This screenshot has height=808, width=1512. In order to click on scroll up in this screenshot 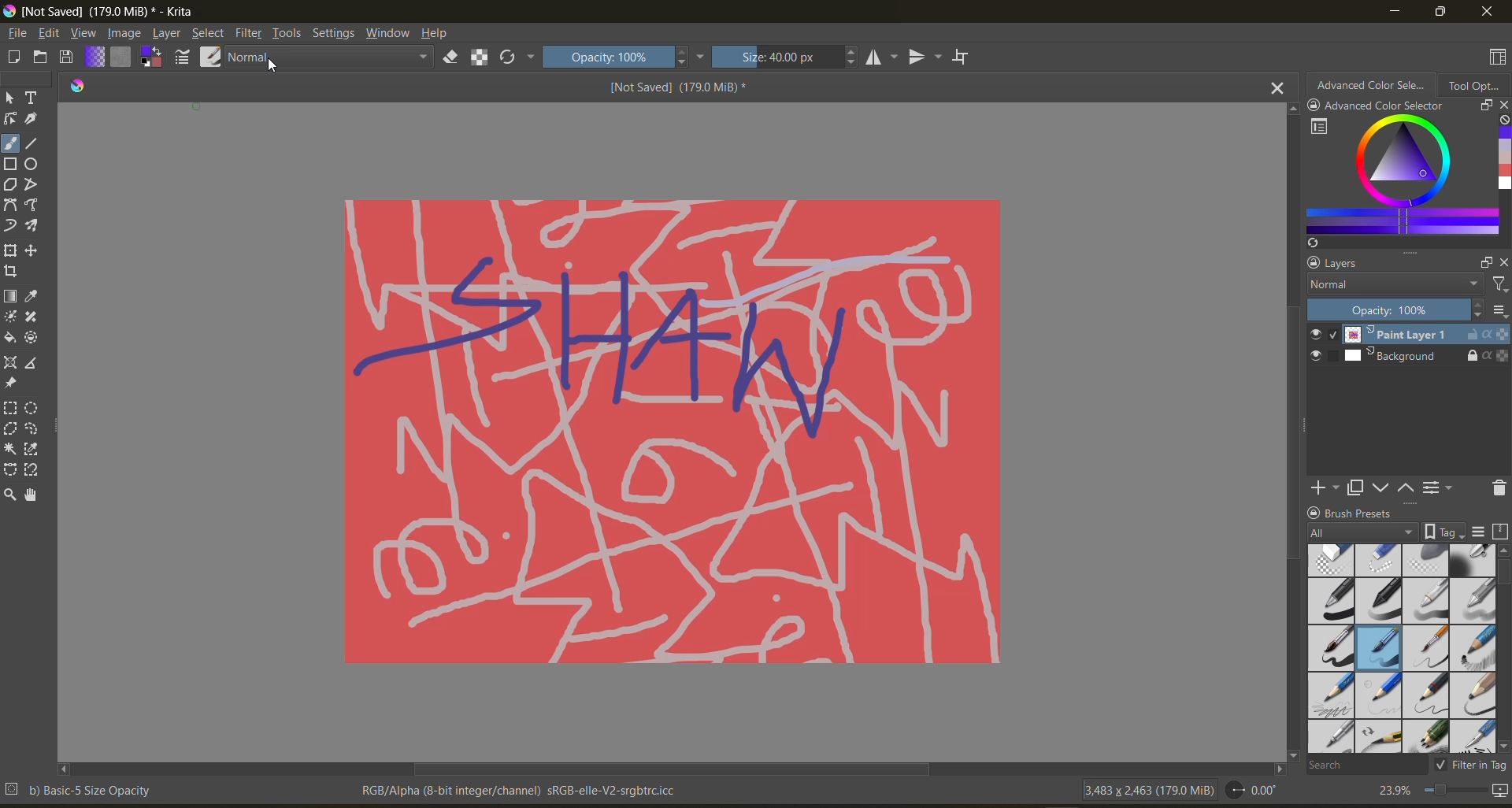, I will do `click(1288, 109)`.